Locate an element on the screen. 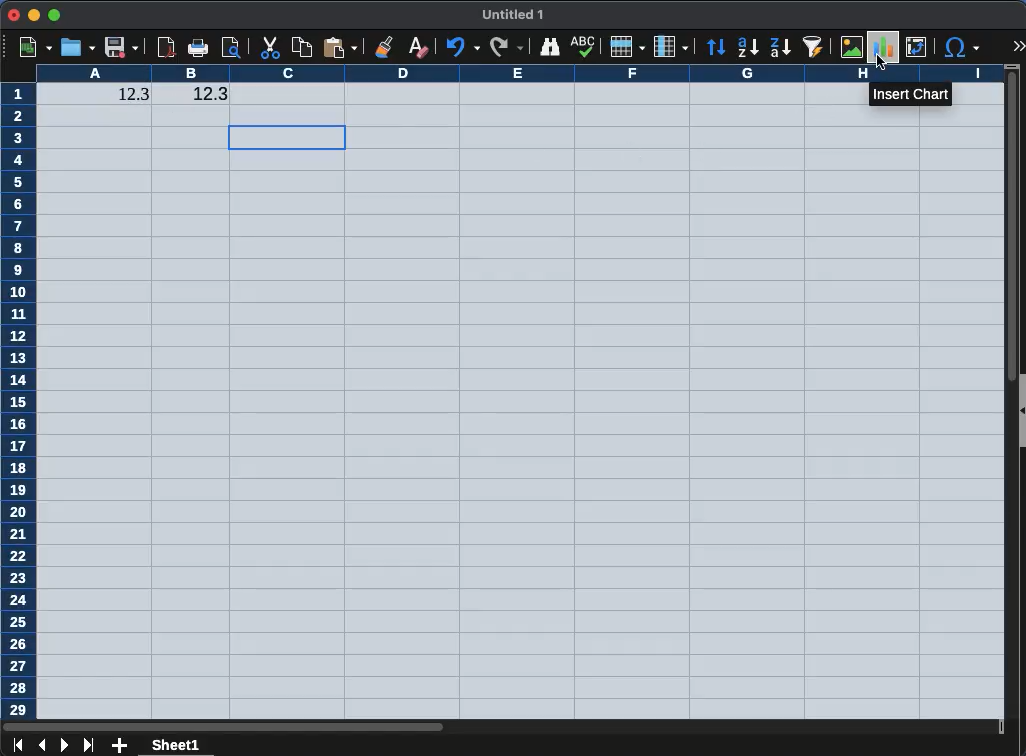 This screenshot has height=756, width=1026. pdf viewer is located at coordinates (166, 47).